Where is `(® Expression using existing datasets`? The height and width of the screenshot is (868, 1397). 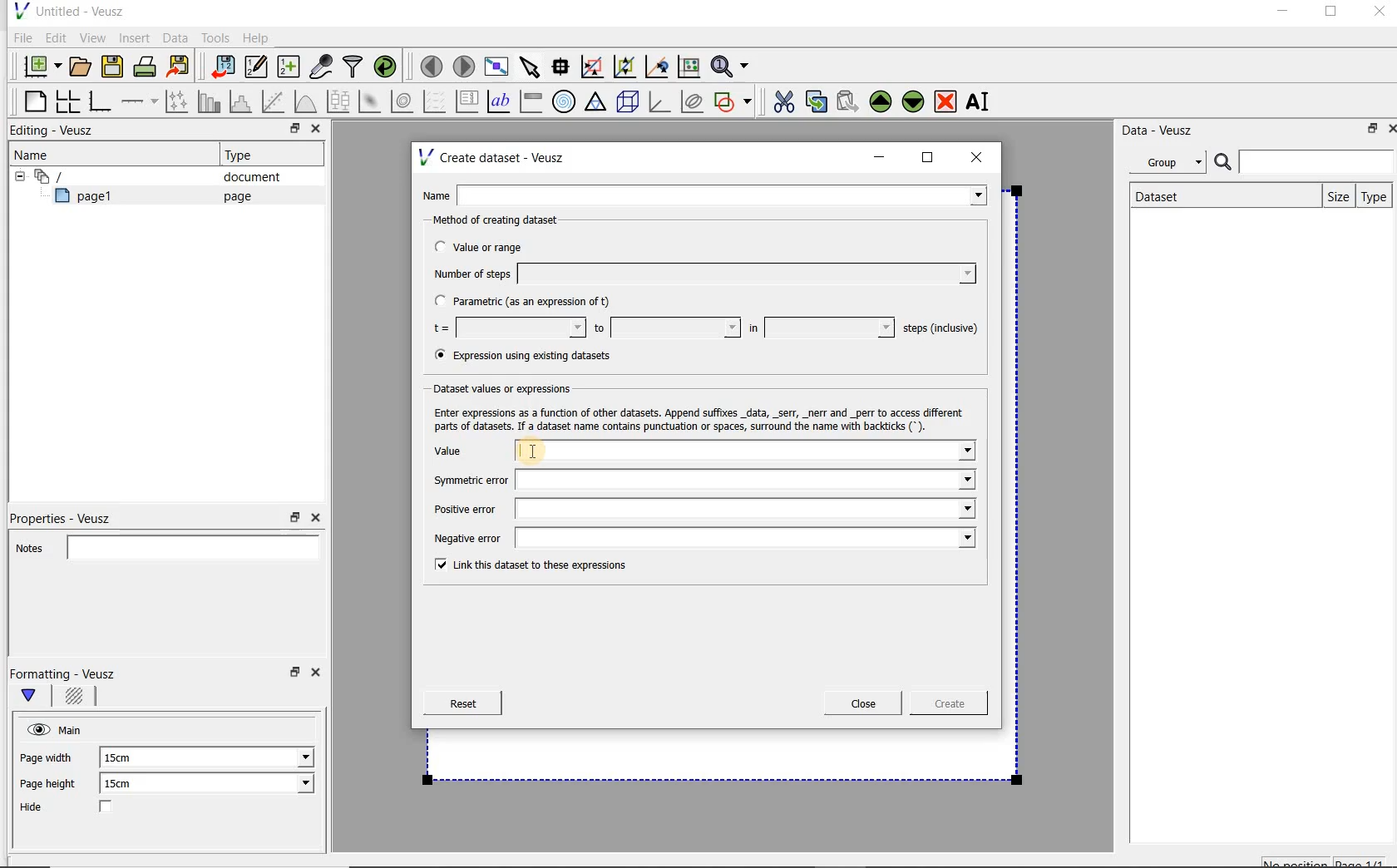
(® Expression using existing datasets is located at coordinates (535, 356).